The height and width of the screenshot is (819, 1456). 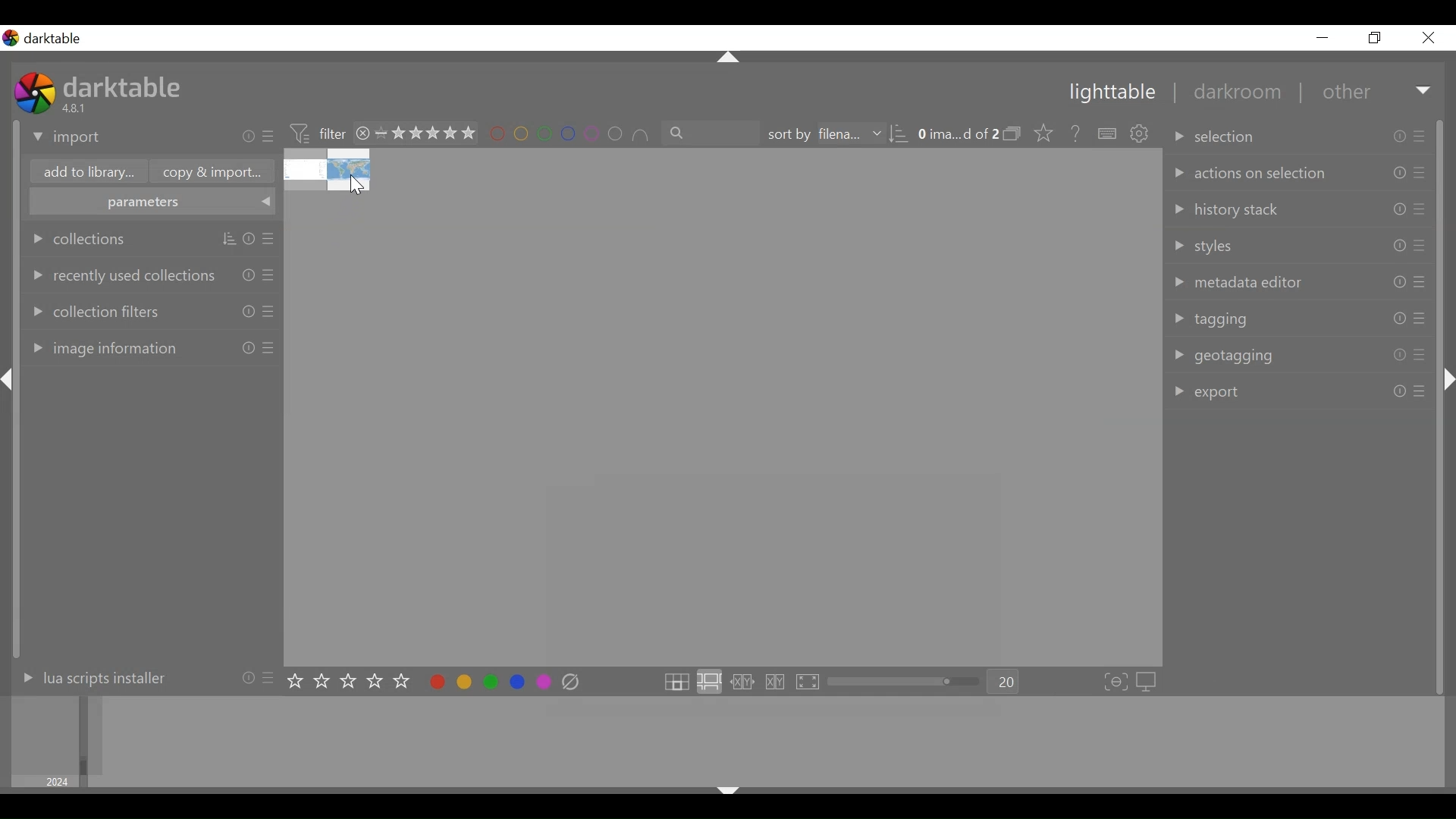 I want to click on , so click(x=269, y=350).